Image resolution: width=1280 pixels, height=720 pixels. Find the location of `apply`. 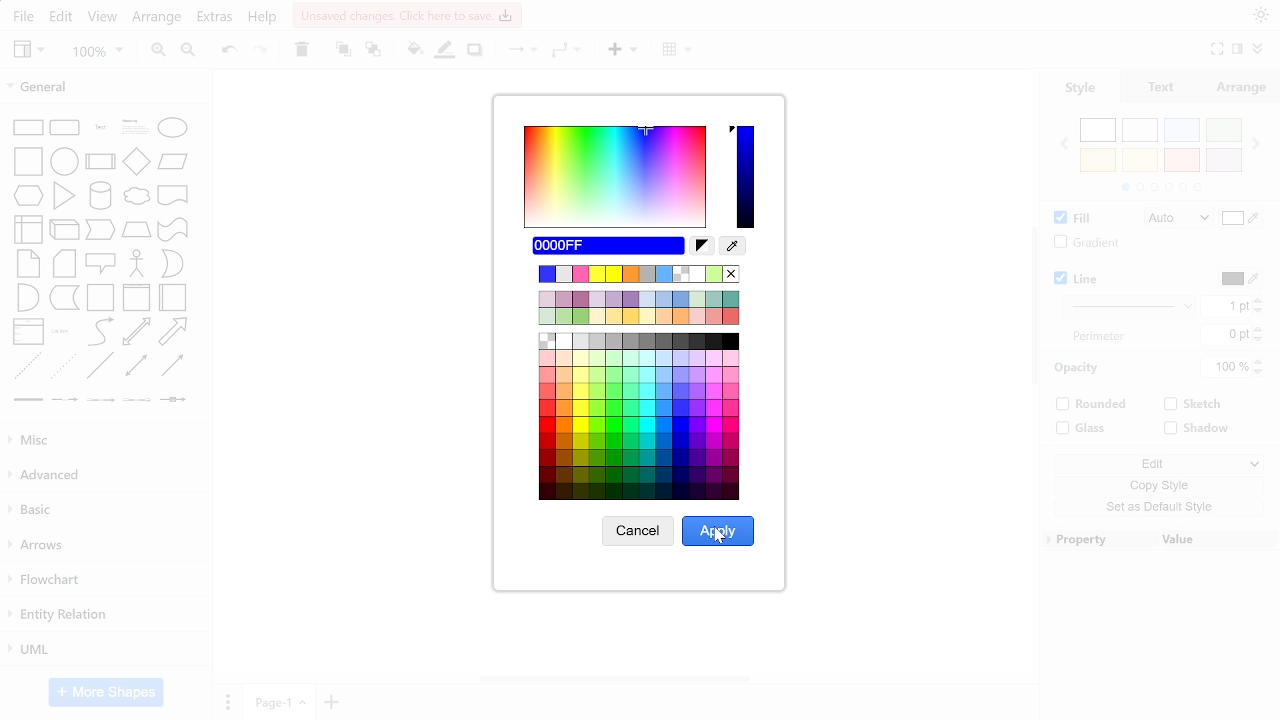

apply is located at coordinates (720, 531).